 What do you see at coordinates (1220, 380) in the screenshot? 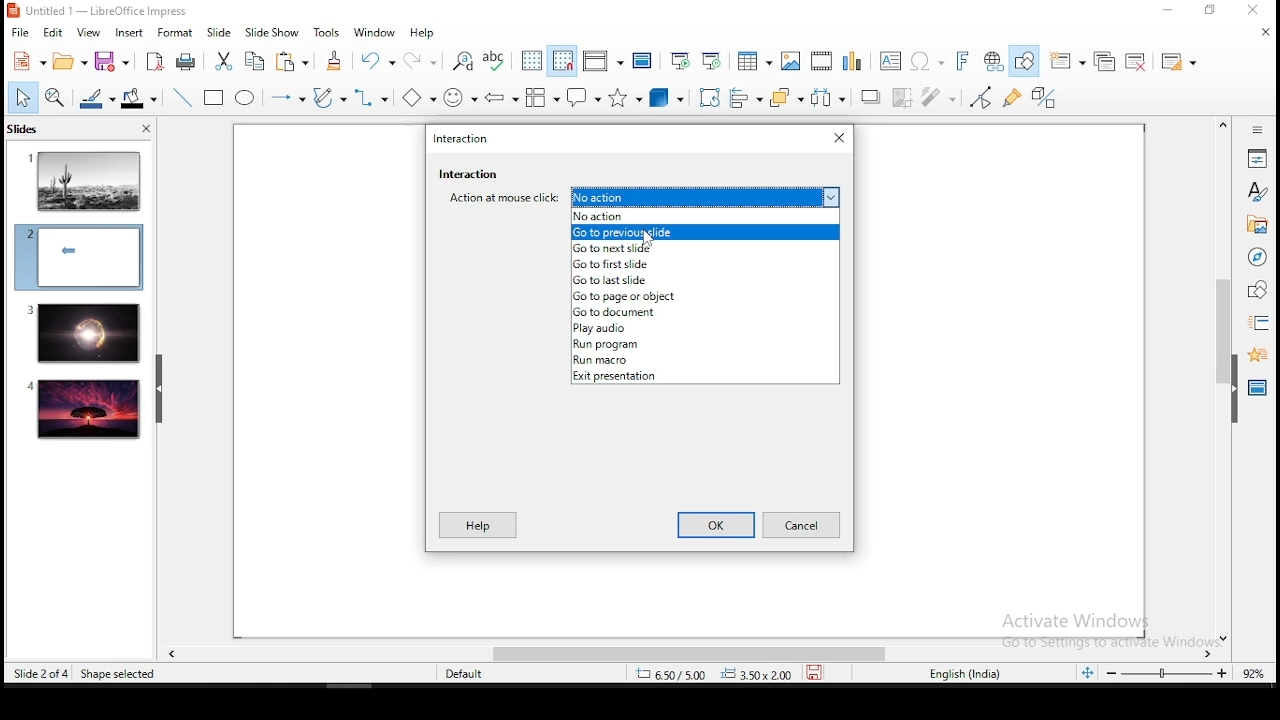
I see `scroll bar` at bounding box center [1220, 380].